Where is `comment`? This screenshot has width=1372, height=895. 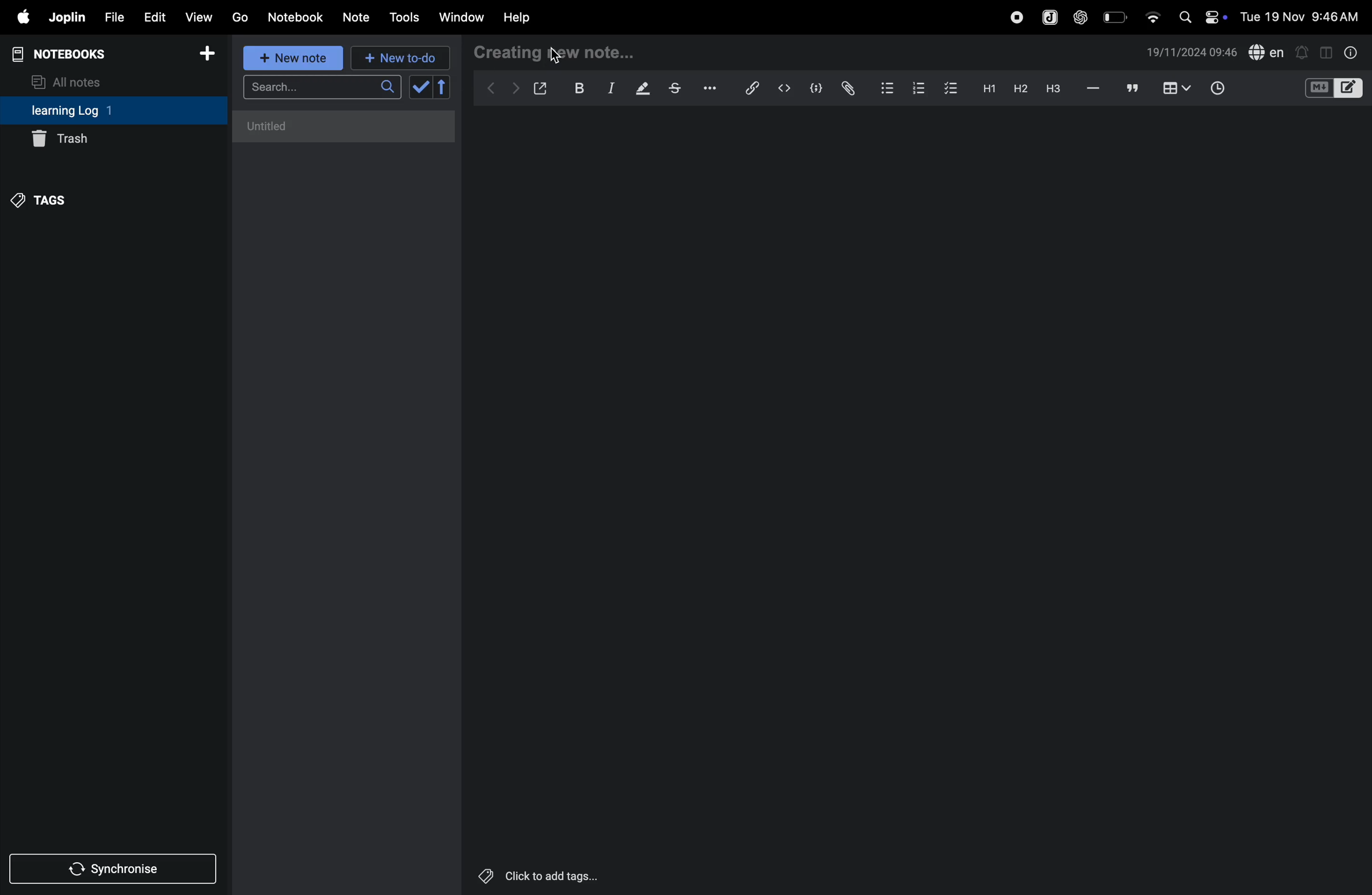 comment is located at coordinates (1133, 89).